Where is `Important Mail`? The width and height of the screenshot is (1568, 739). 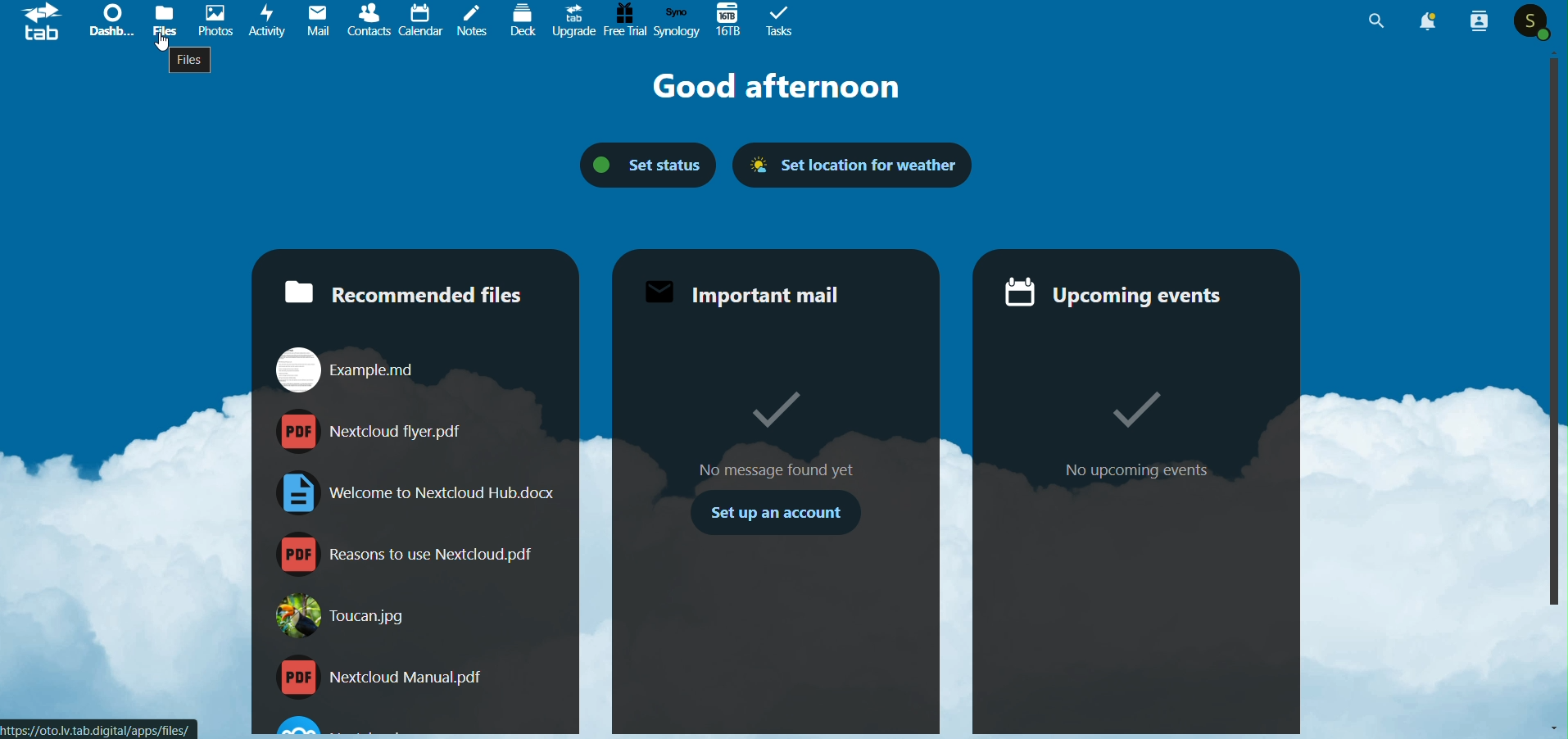 Important Mail is located at coordinates (759, 292).